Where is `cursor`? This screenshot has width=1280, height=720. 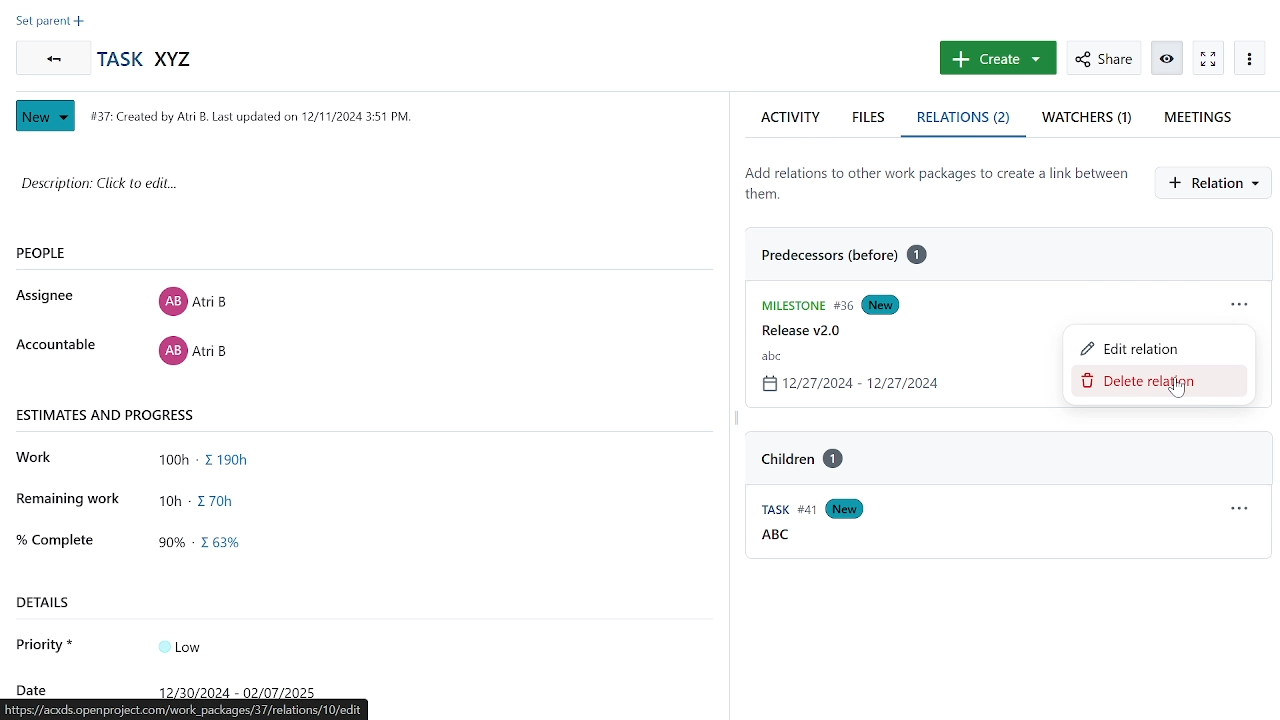 cursor is located at coordinates (1179, 391).